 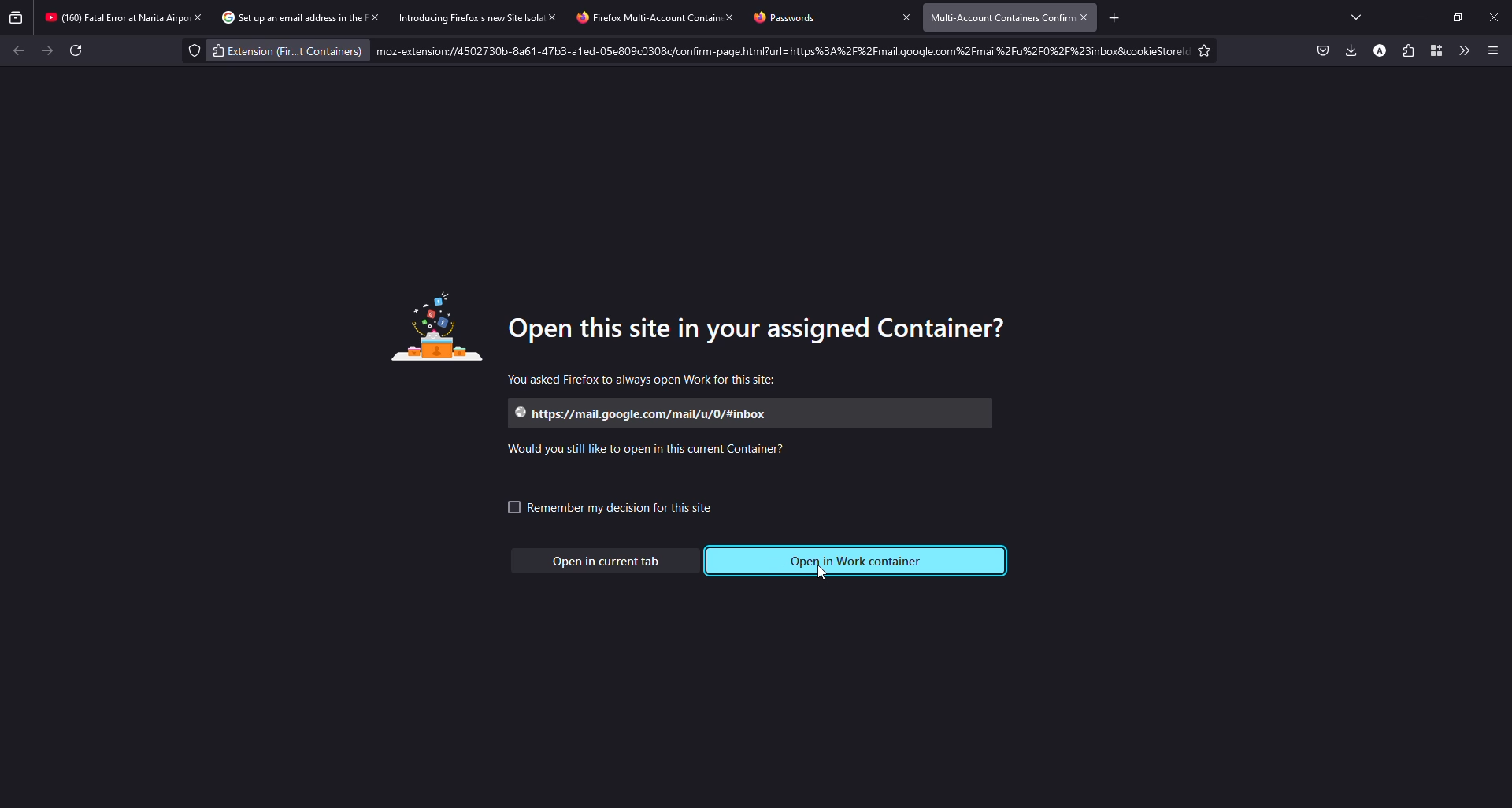 What do you see at coordinates (899, 17) in the screenshot?
I see `close` at bounding box center [899, 17].